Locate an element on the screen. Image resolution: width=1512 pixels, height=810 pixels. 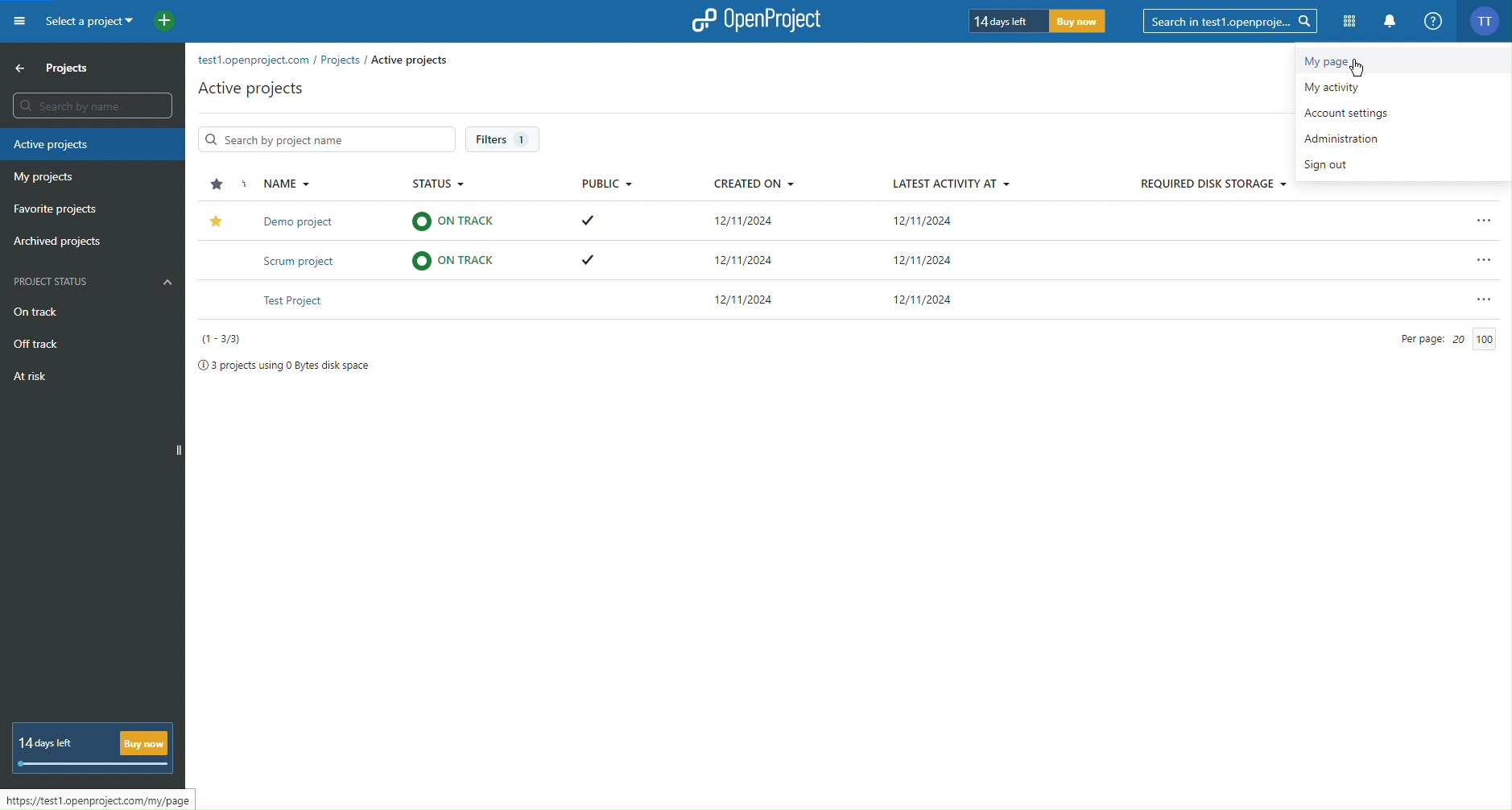
12/11/2024 is located at coordinates (927, 221).